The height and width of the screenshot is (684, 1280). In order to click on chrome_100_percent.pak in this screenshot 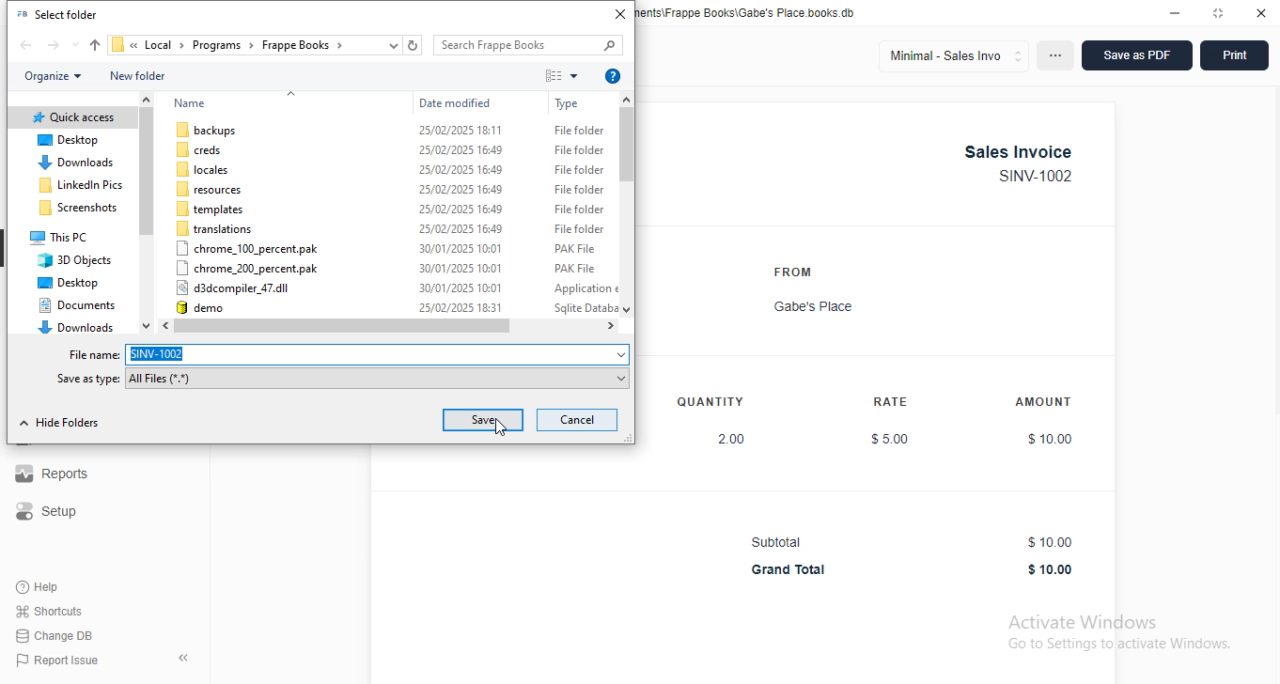, I will do `click(247, 248)`.